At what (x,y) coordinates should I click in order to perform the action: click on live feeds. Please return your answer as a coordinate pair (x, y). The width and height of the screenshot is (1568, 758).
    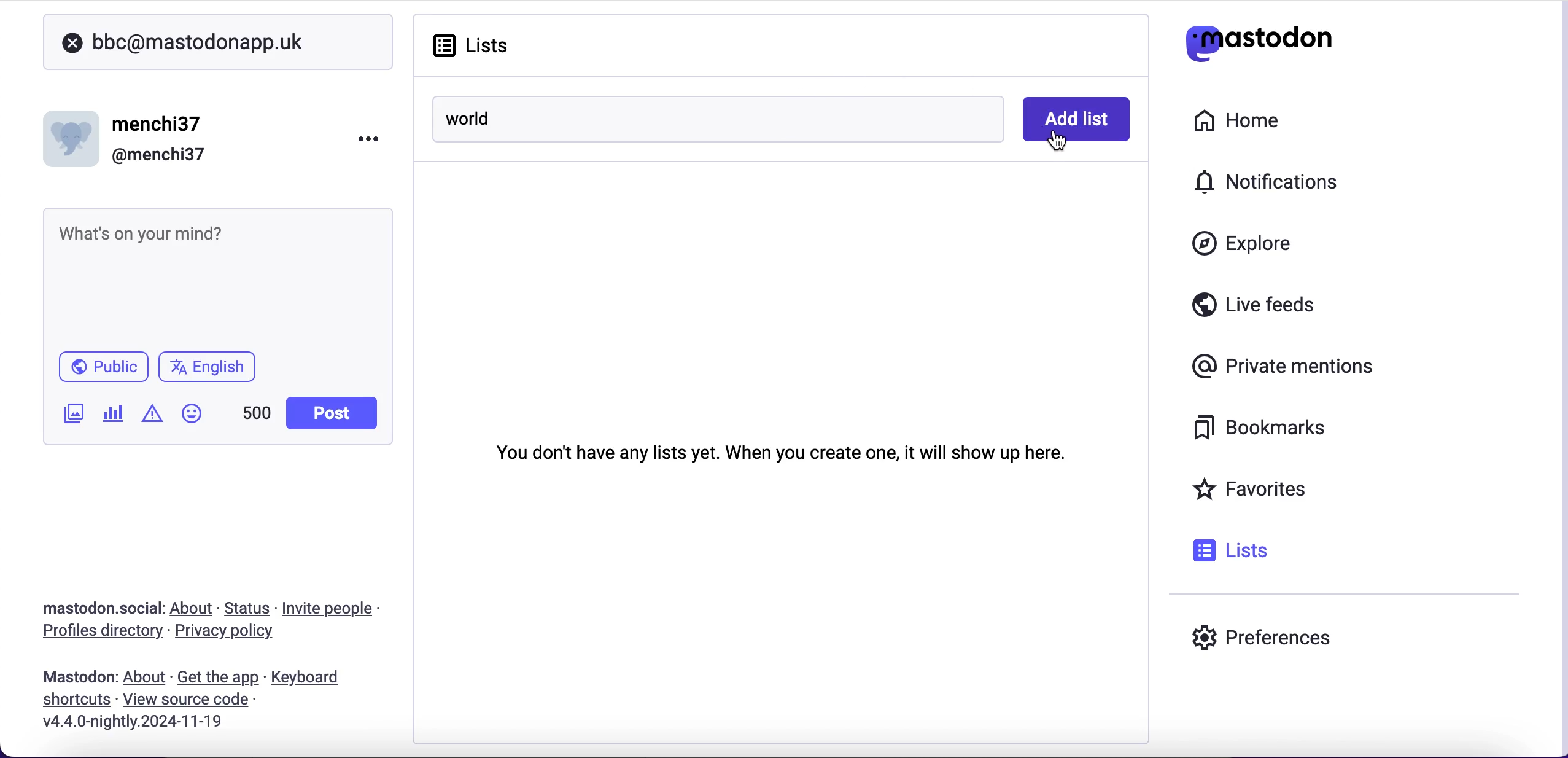
    Looking at the image, I should click on (1254, 309).